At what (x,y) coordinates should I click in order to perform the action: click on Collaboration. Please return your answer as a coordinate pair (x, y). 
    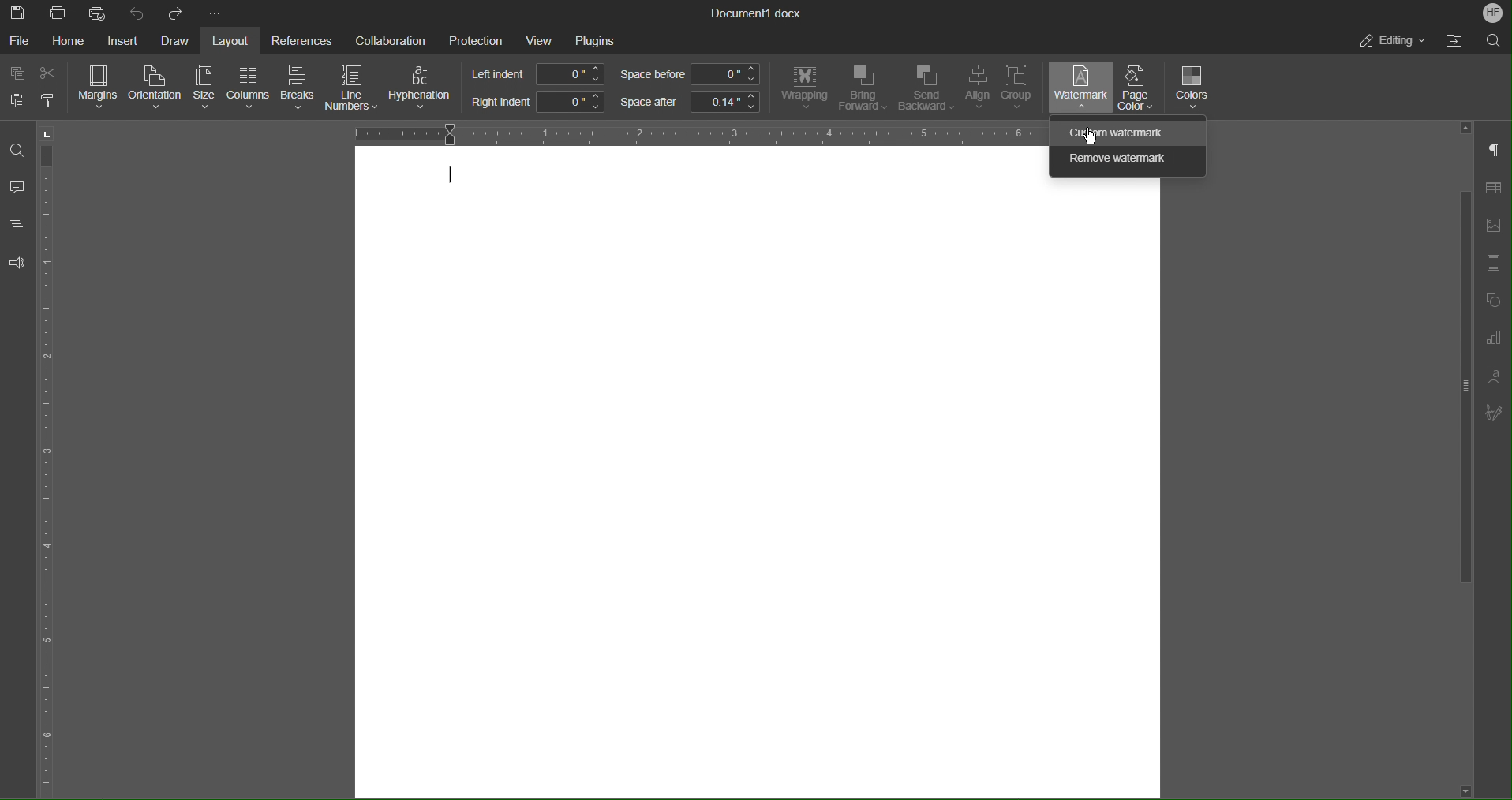
    Looking at the image, I should click on (386, 39).